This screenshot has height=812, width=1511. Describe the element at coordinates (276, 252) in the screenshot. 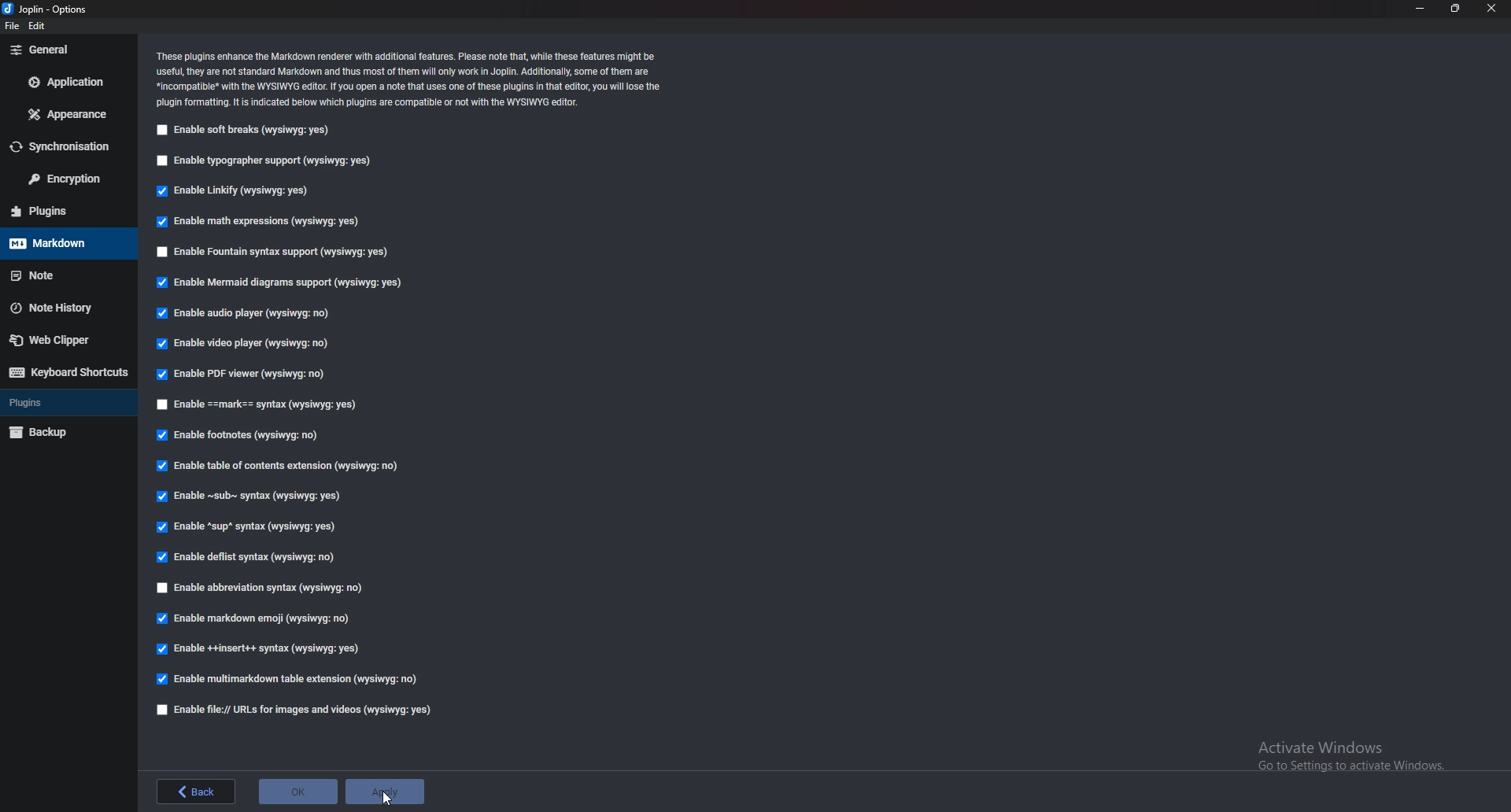

I see `Enable fountain syntax support` at that location.